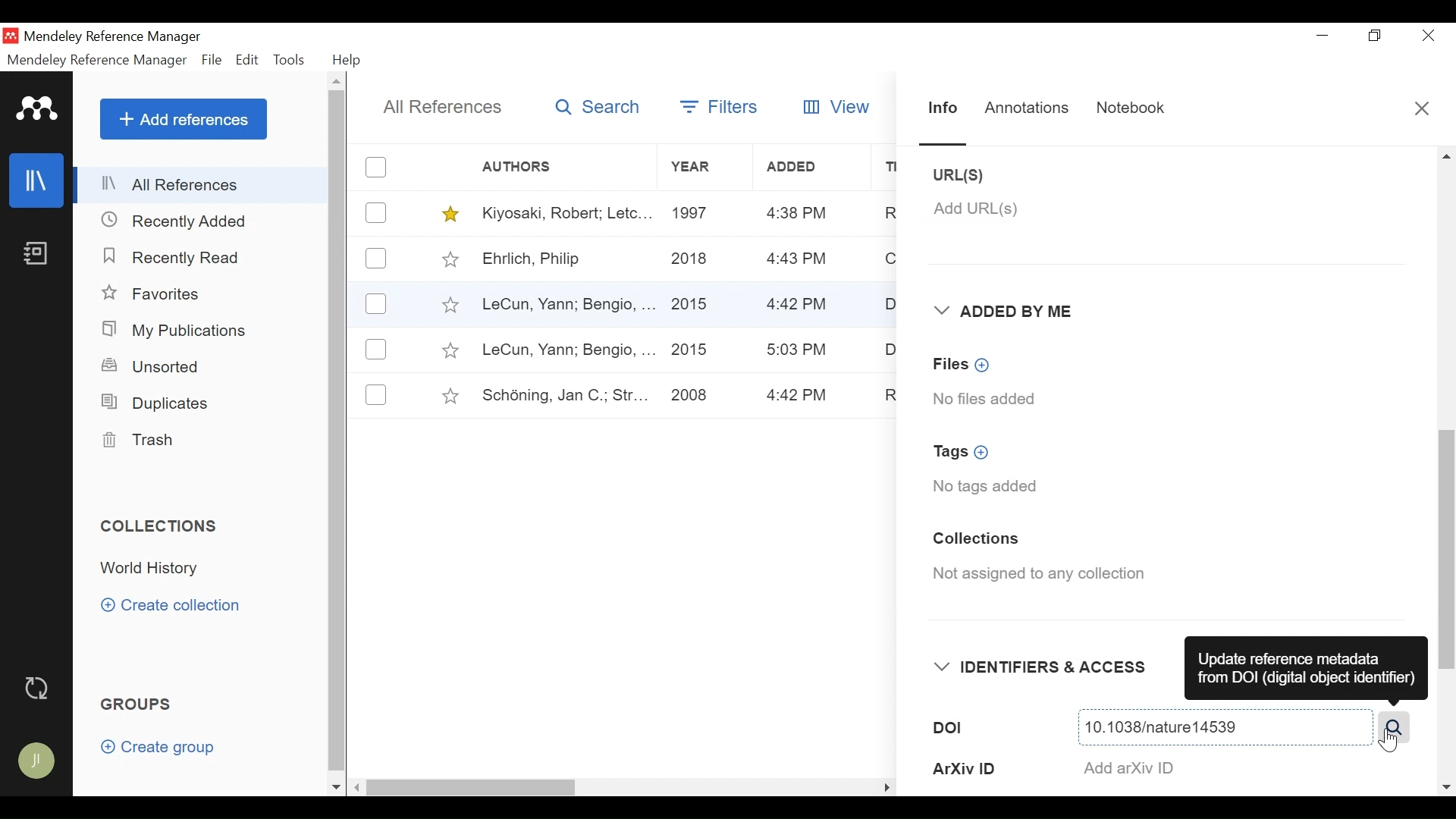 The height and width of the screenshot is (819, 1456). I want to click on Favorites, so click(162, 295).